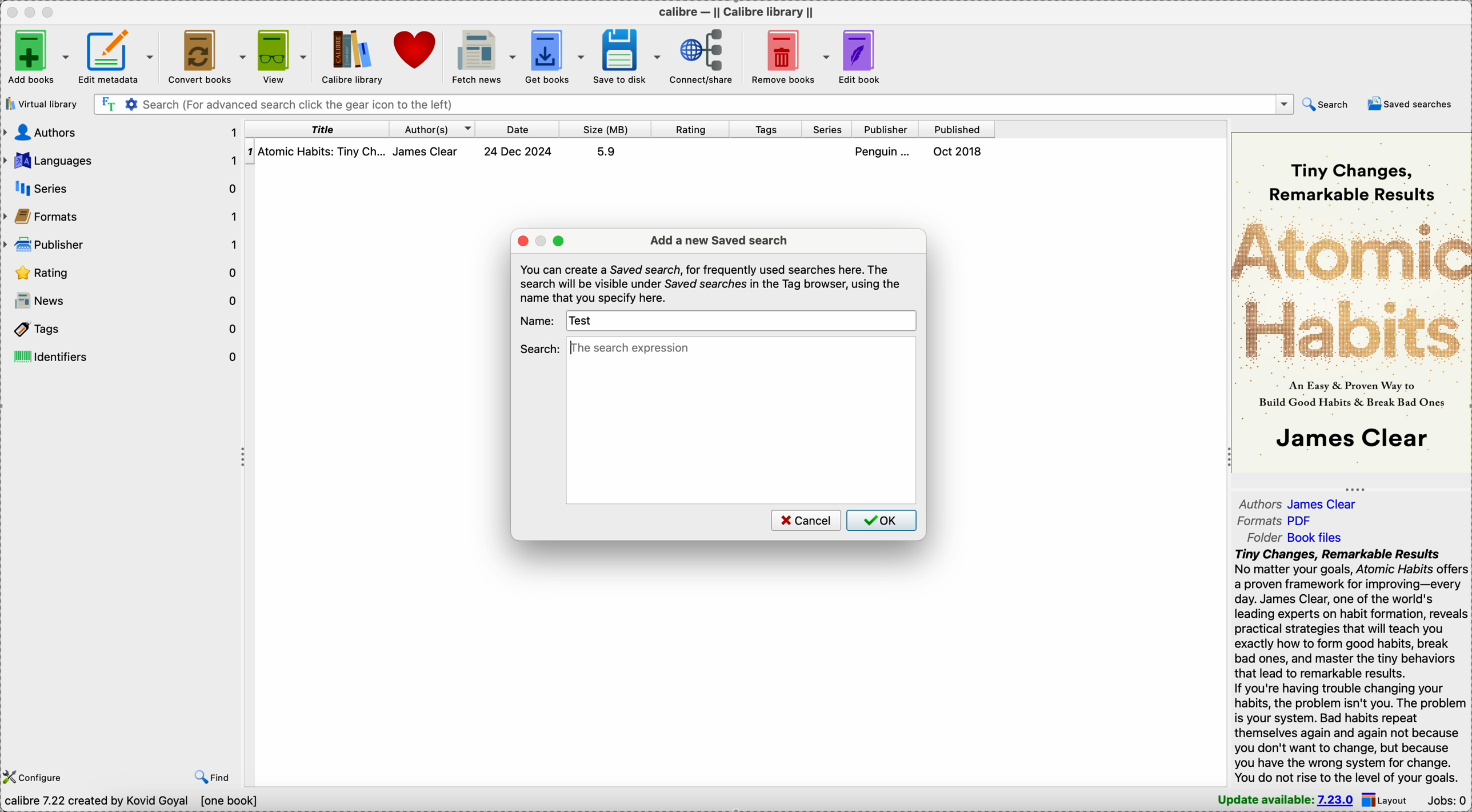 This screenshot has height=812, width=1472. Describe the element at coordinates (51, 11) in the screenshot. I see `maximize` at that location.